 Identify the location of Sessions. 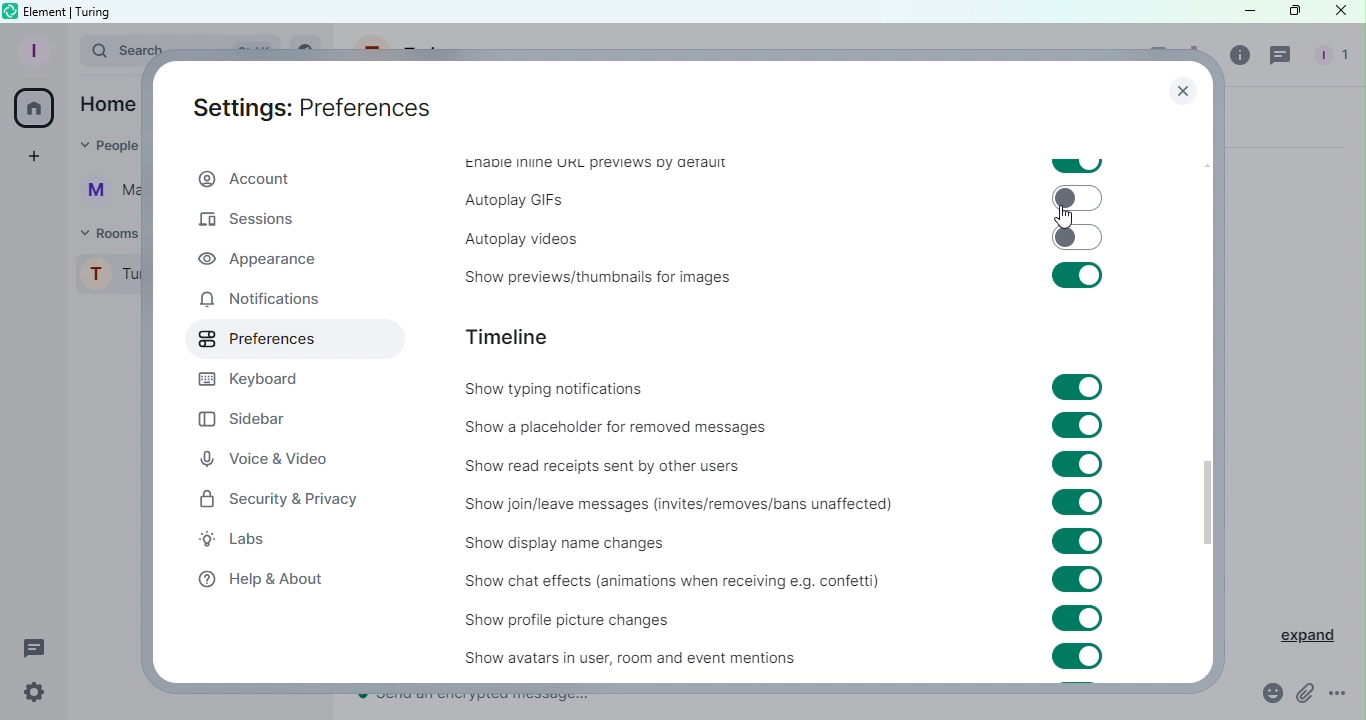
(245, 220).